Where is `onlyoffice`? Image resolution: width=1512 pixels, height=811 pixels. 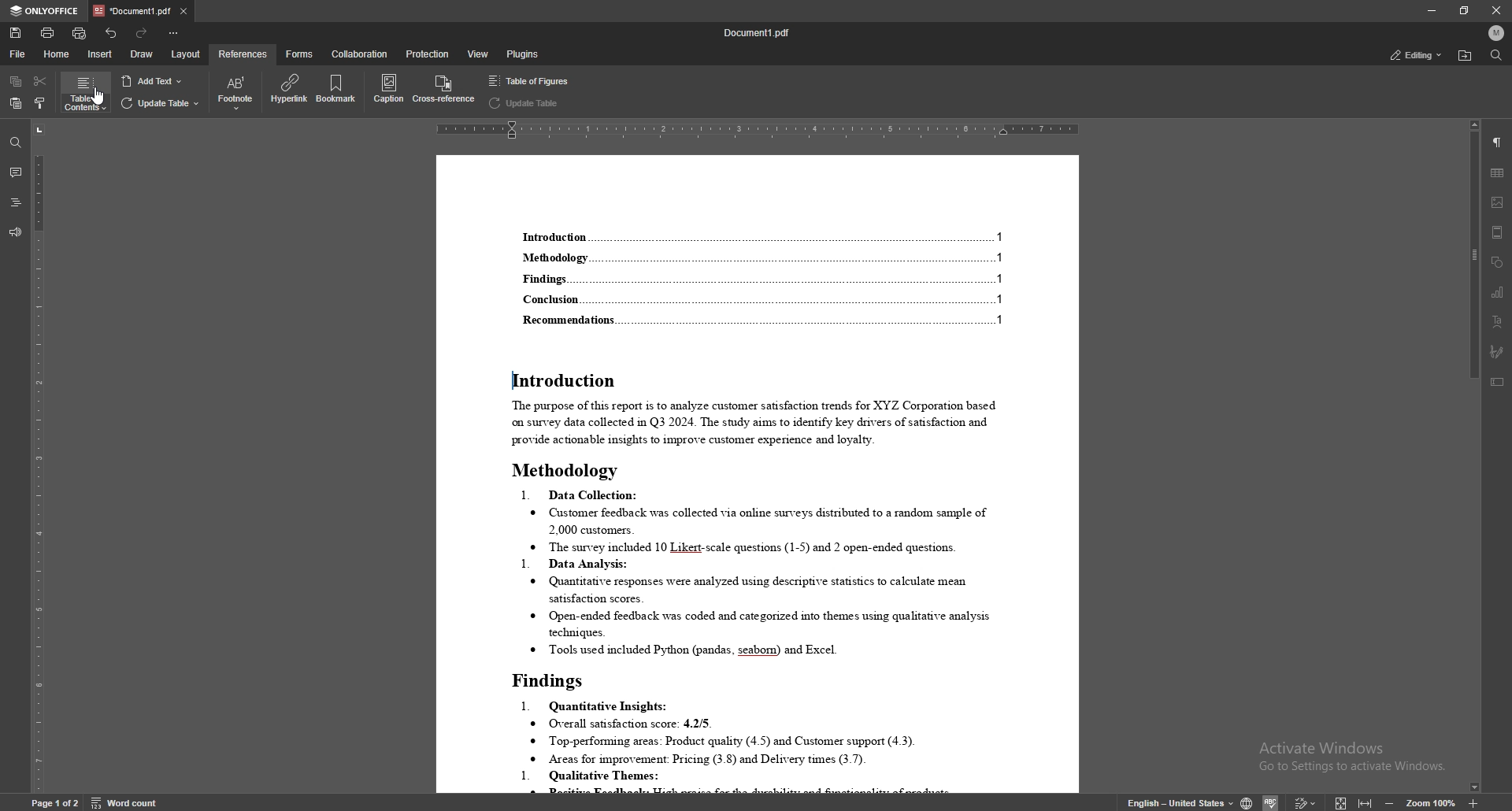 onlyoffice is located at coordinates (45, 11).